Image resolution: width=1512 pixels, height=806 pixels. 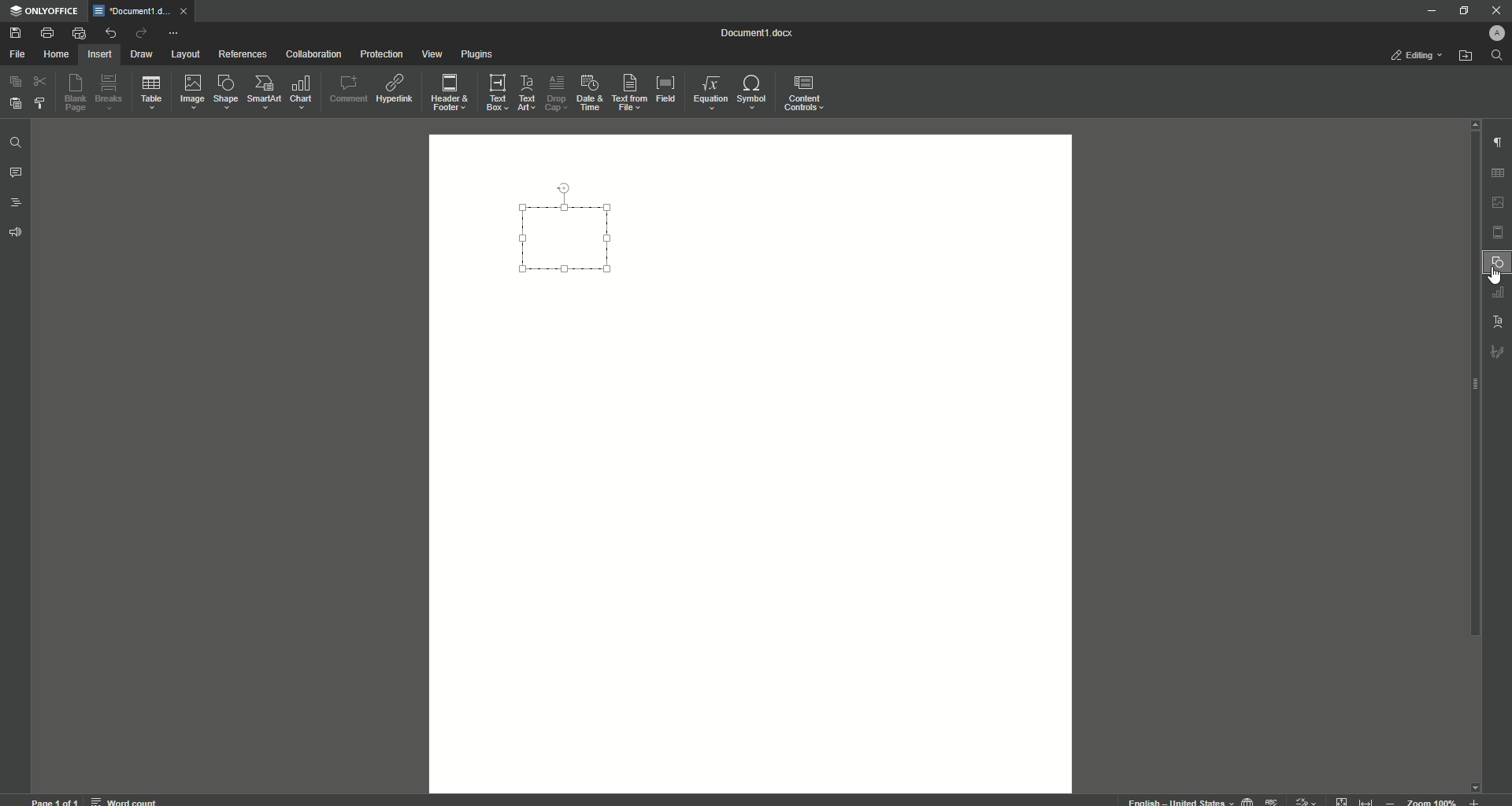 What do you see at coordinates (134, 11) in the screenshot?
I see `Tab 1` at bounding box center [134, 11].